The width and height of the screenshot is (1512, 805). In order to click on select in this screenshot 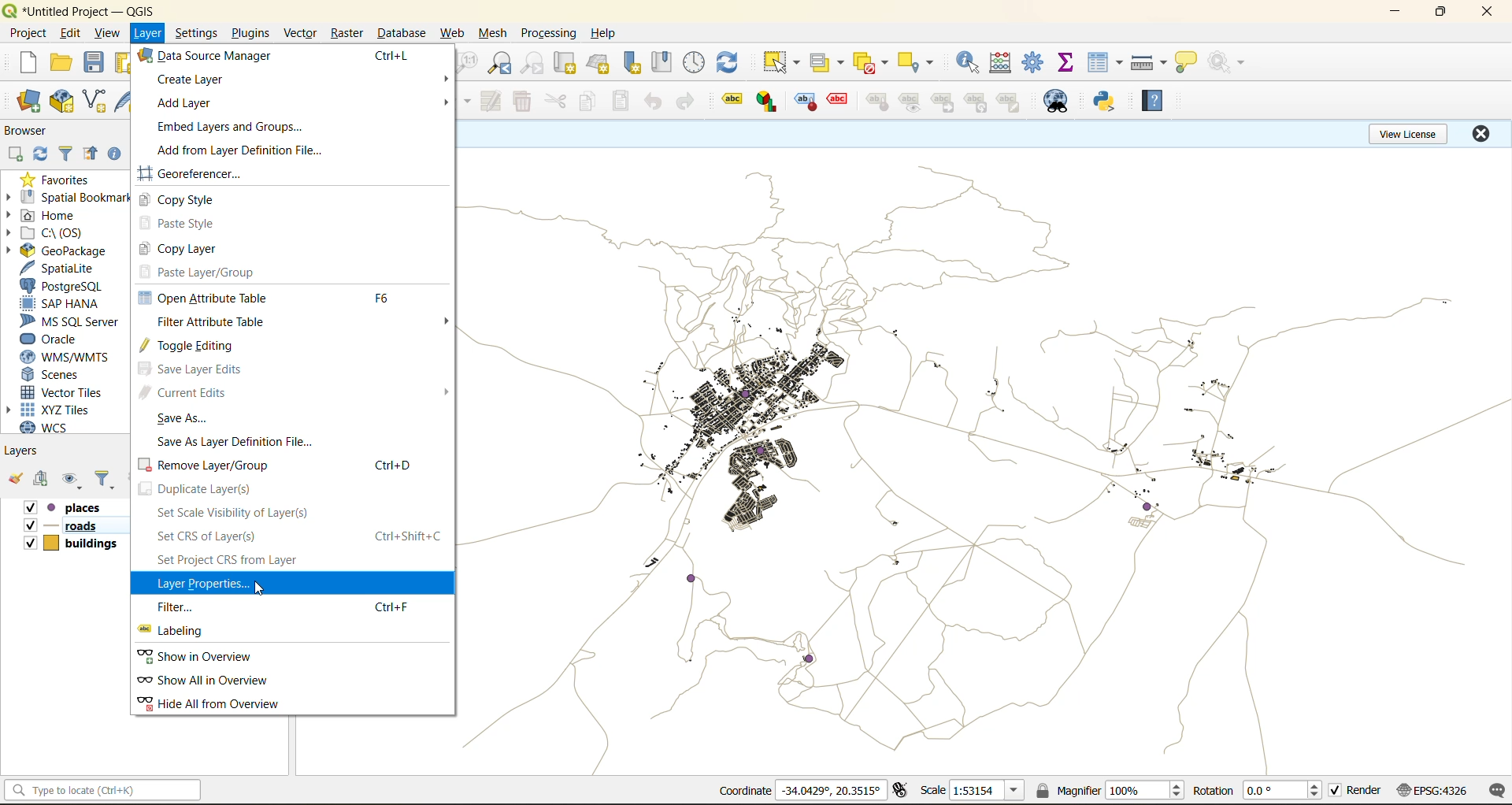, I will do `click(783, 65)`.